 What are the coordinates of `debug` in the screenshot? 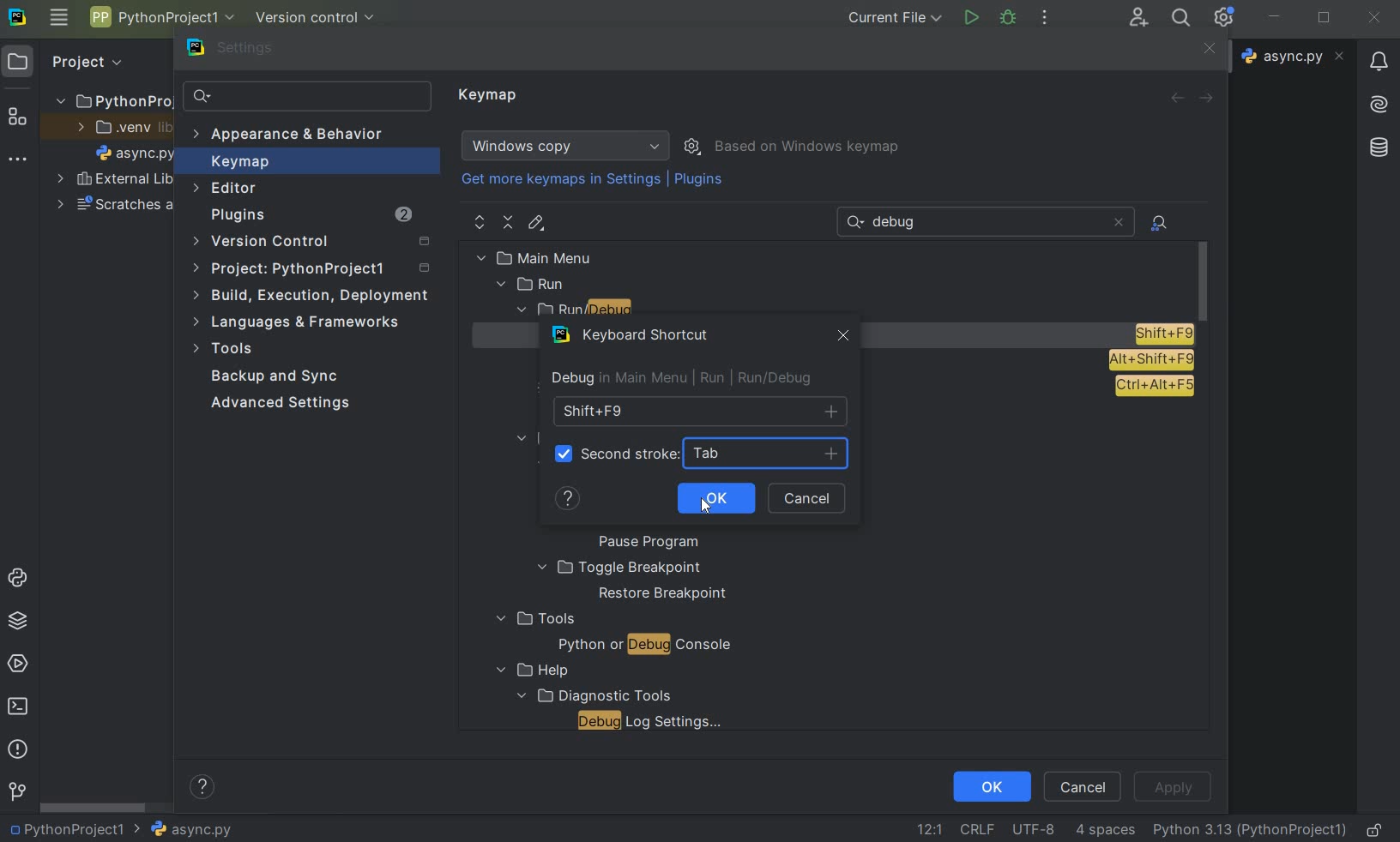 It's located at (1009, 16).